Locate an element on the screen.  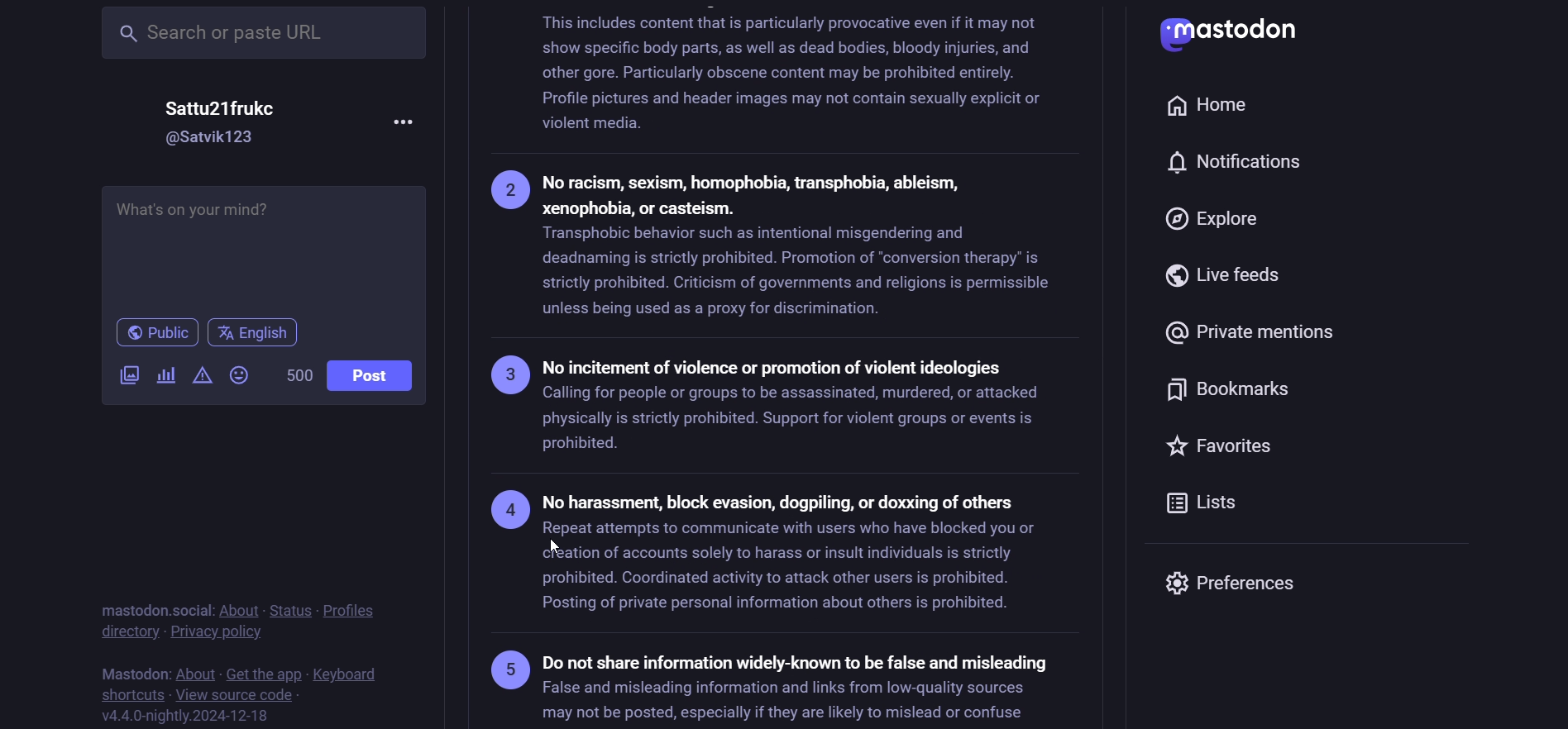
name is located at coordinates (230, 107).